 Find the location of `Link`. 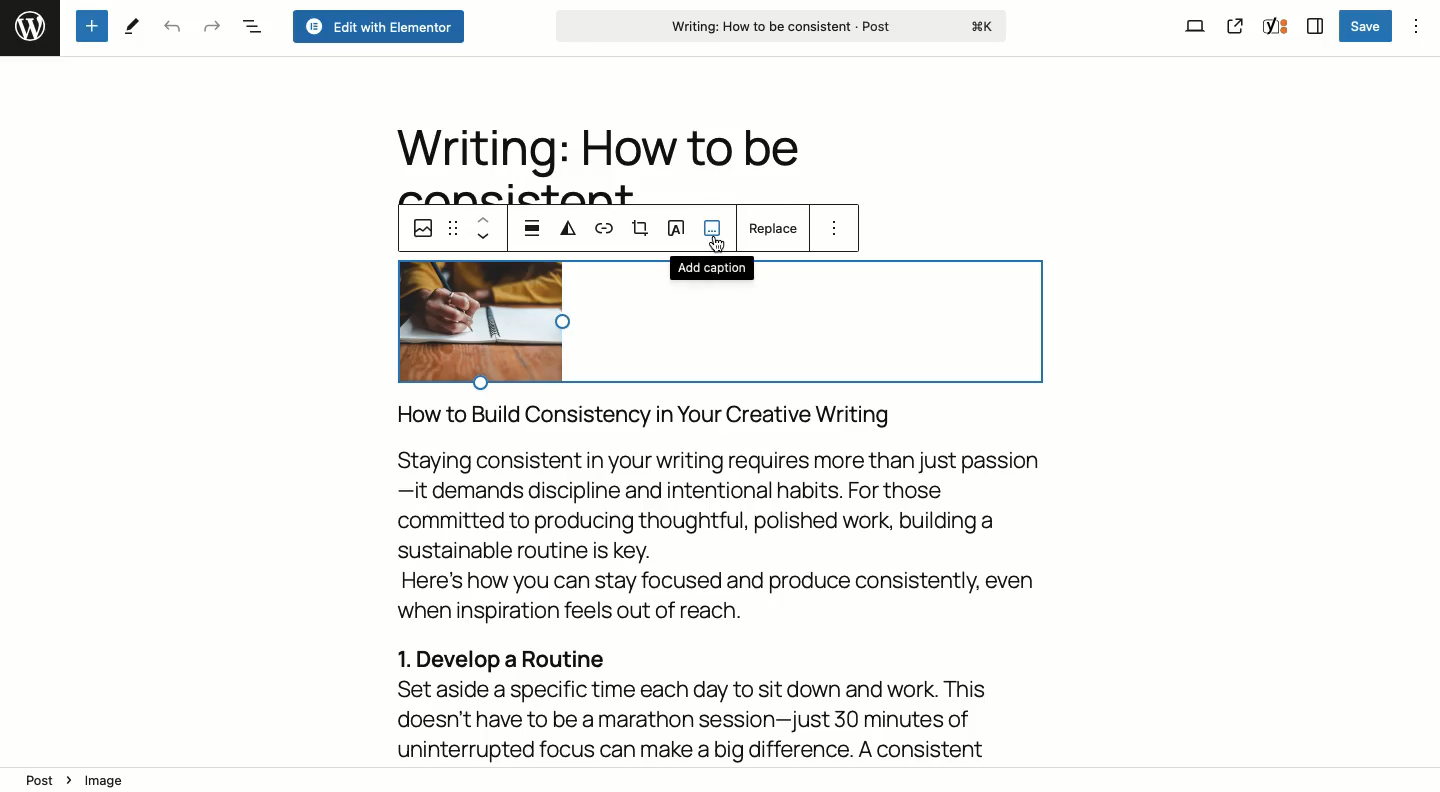

Link is located at coordinates (608, 232).